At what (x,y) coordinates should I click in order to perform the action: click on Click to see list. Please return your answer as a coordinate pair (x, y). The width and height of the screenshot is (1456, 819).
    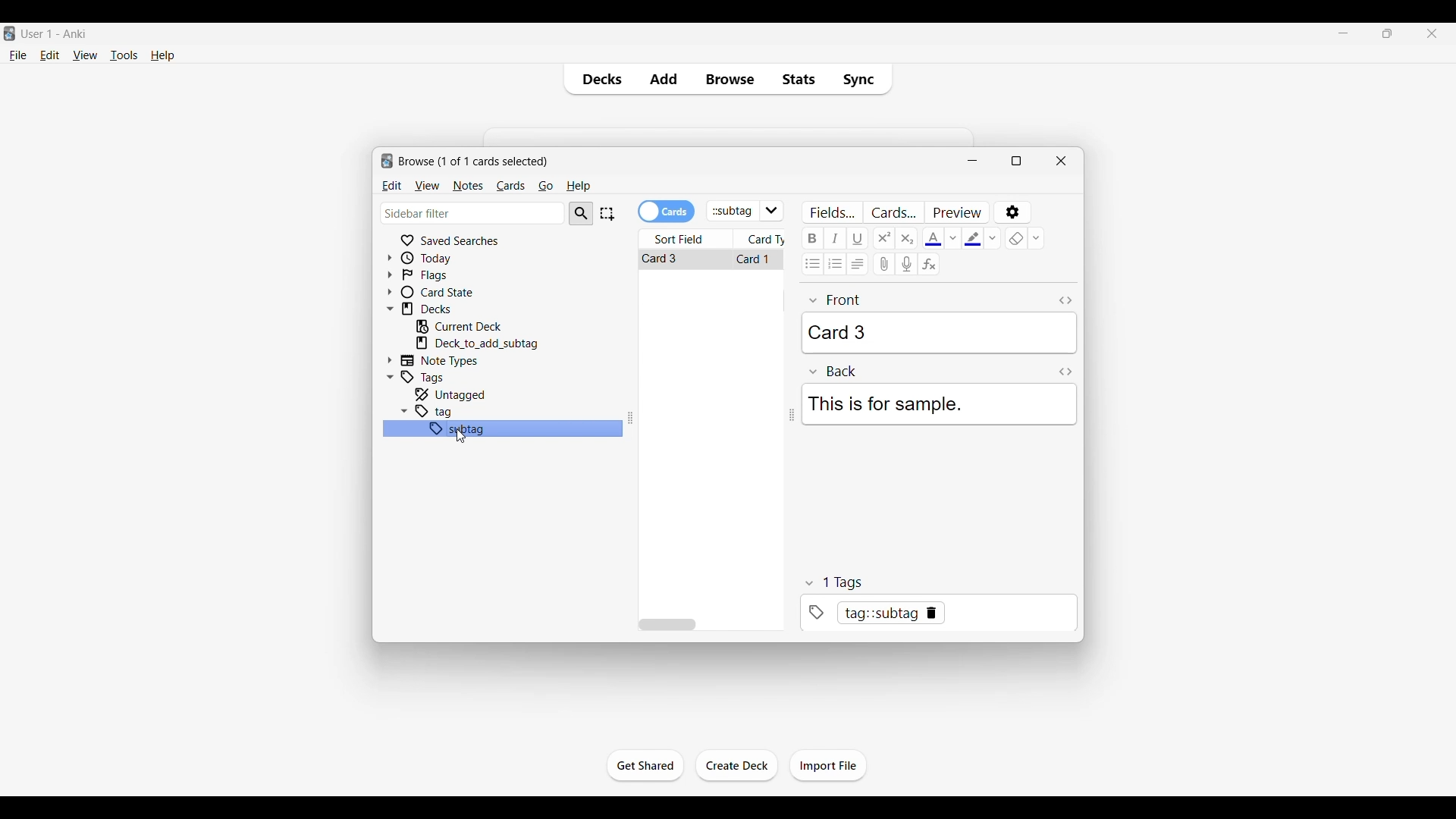
    Looking at the image, I should click on (773, 211).